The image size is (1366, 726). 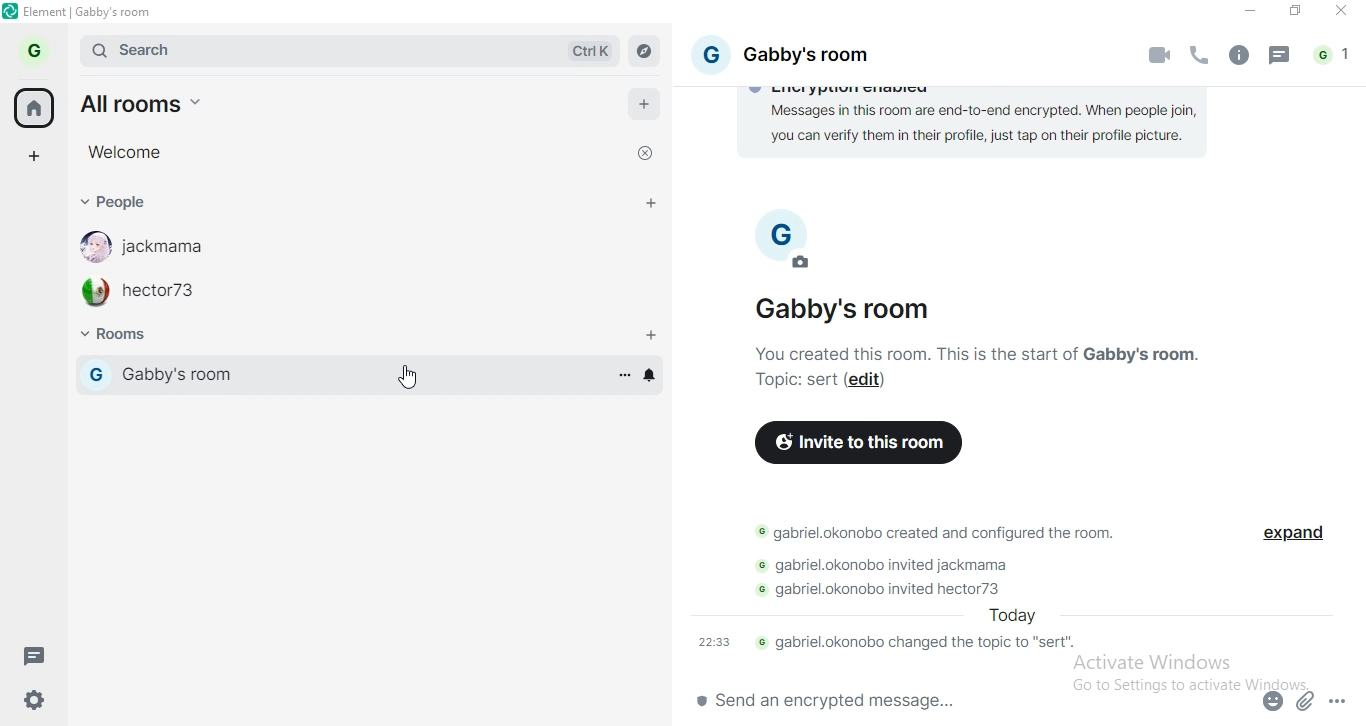 What do you see at coordinates (1247, 13) in the screenshot?
I see `minimise` at bounding box center [1247, 13].